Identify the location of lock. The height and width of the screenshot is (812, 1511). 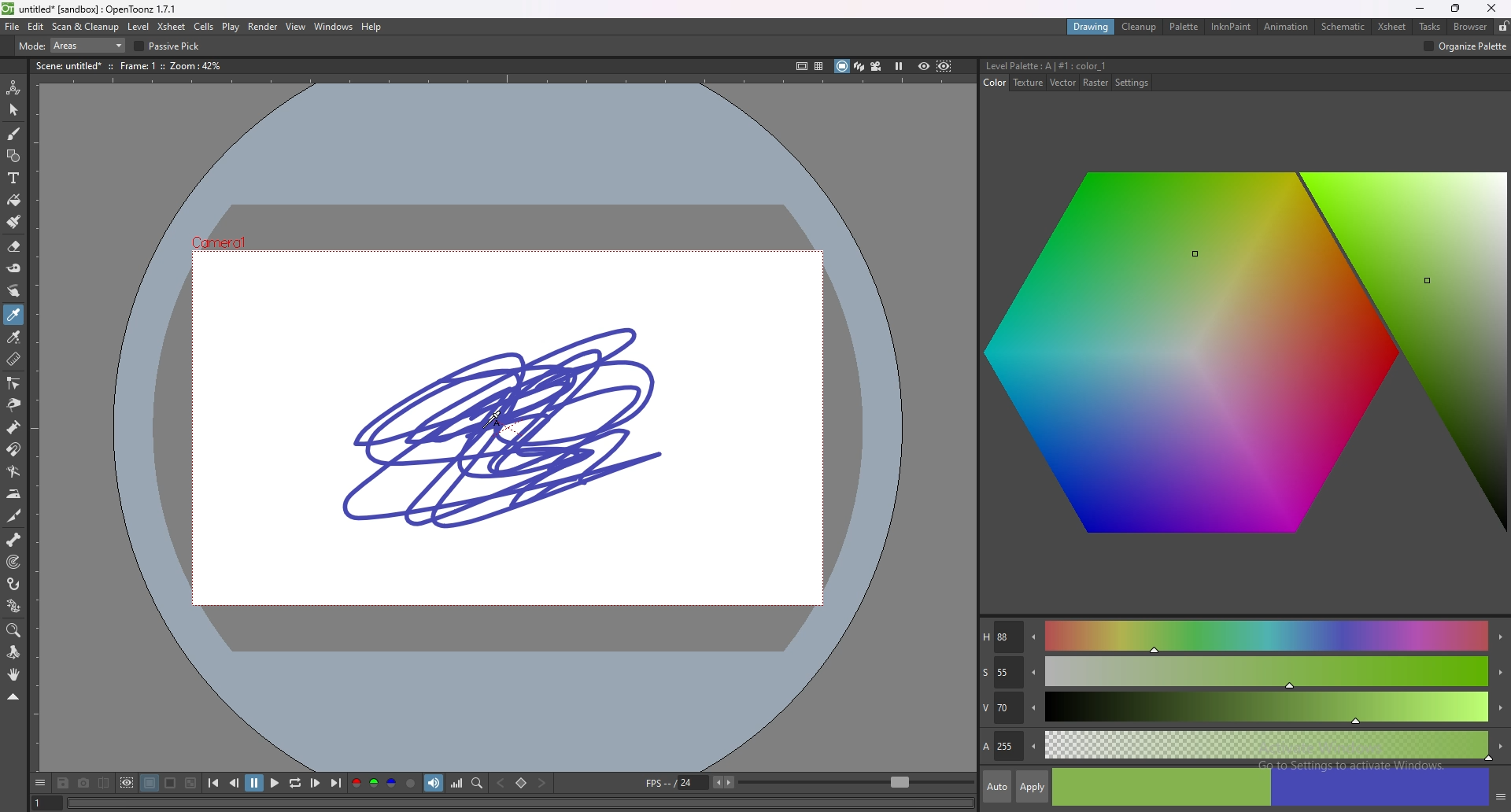
(1502, 27).